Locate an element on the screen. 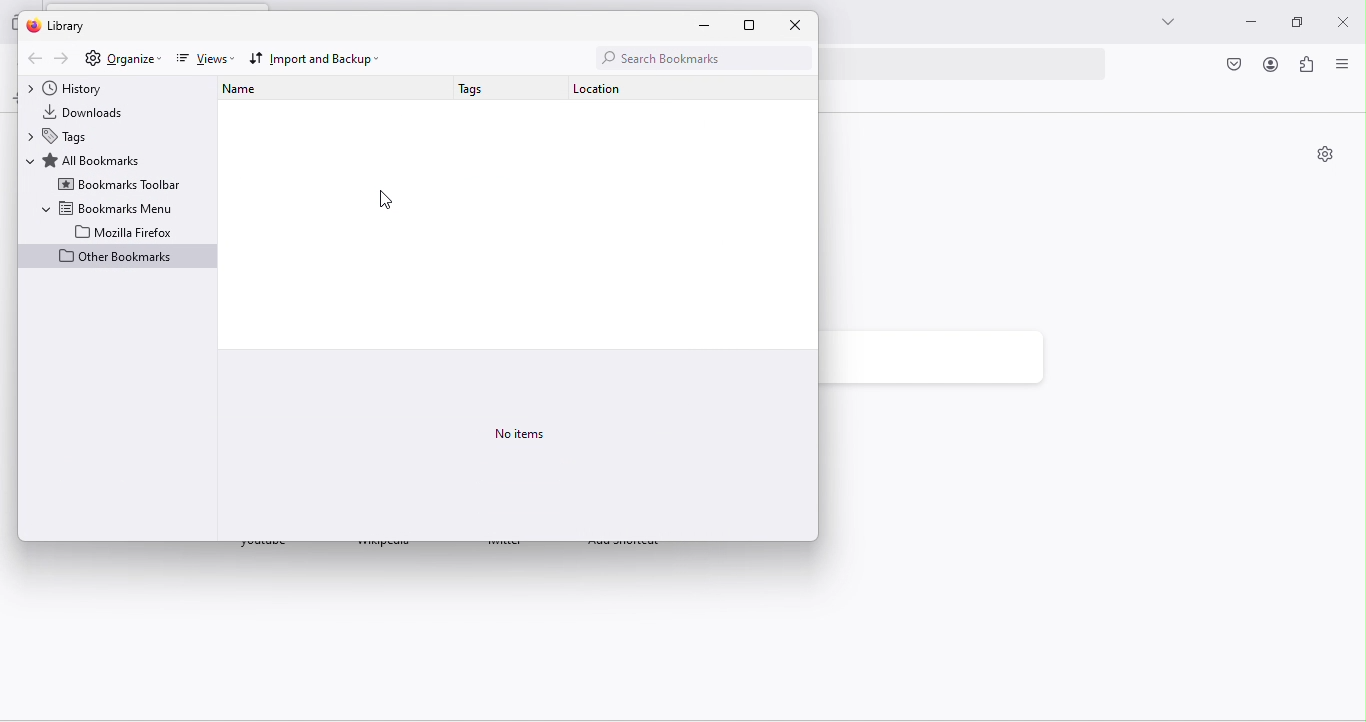  bookmarks toolbar is located at coordinates (119, 185).